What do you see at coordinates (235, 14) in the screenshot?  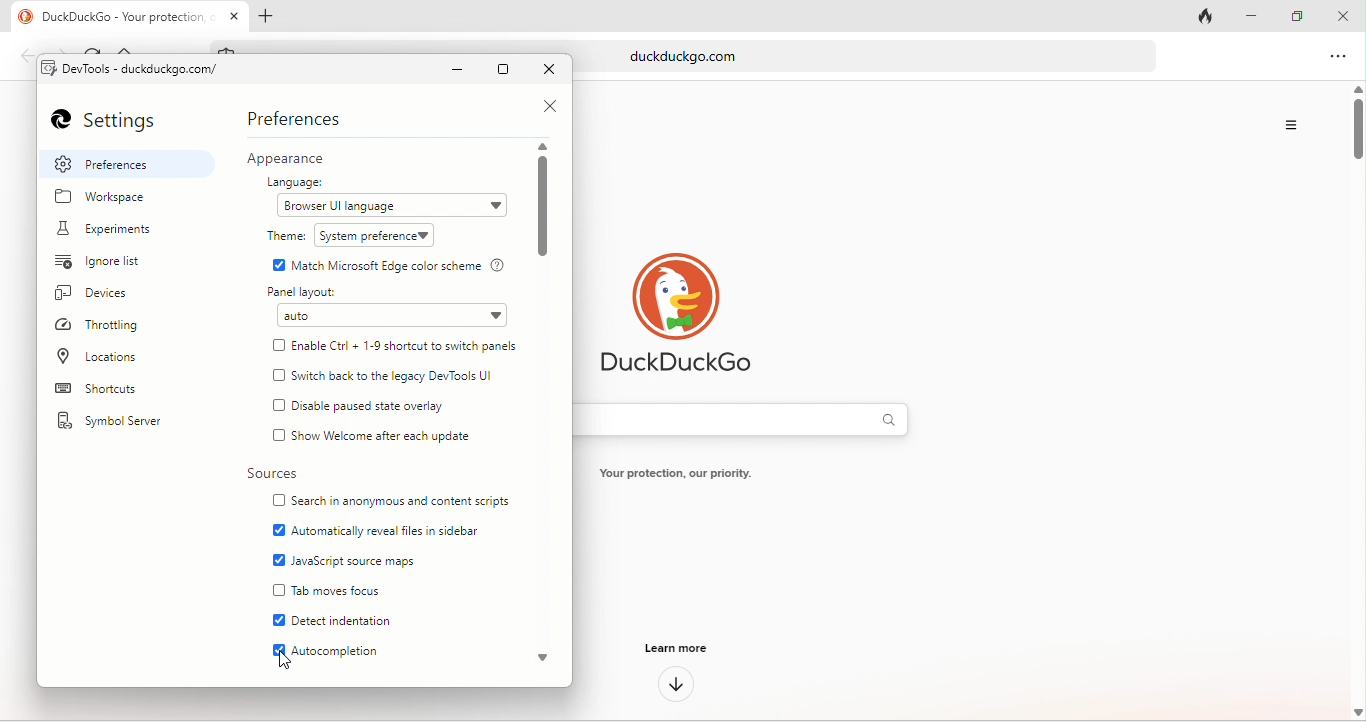 I see `close tab` at bounding box center [235, 14].